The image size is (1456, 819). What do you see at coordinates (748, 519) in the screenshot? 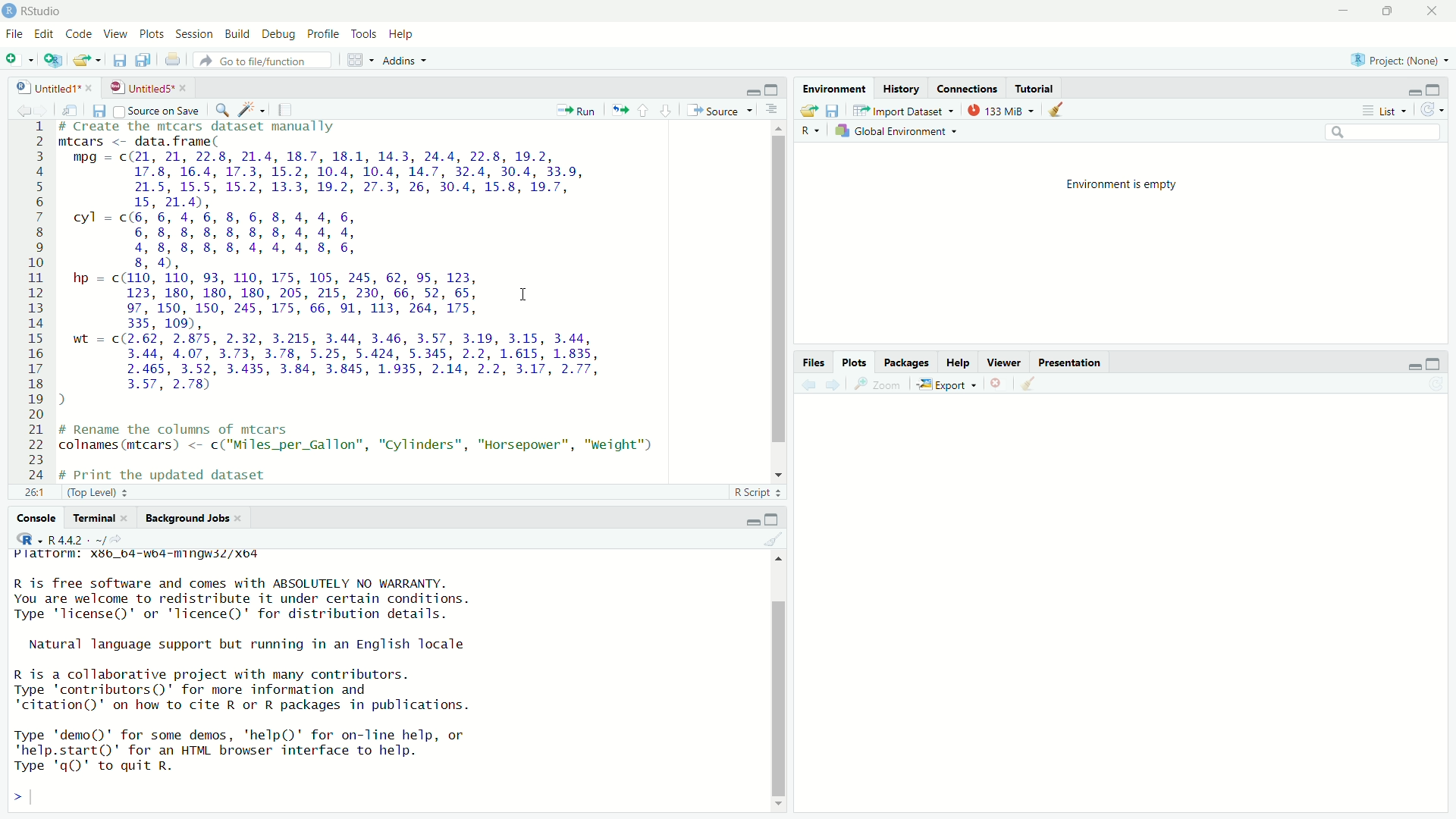
I see `minimise` at bounding box center [748, 519].